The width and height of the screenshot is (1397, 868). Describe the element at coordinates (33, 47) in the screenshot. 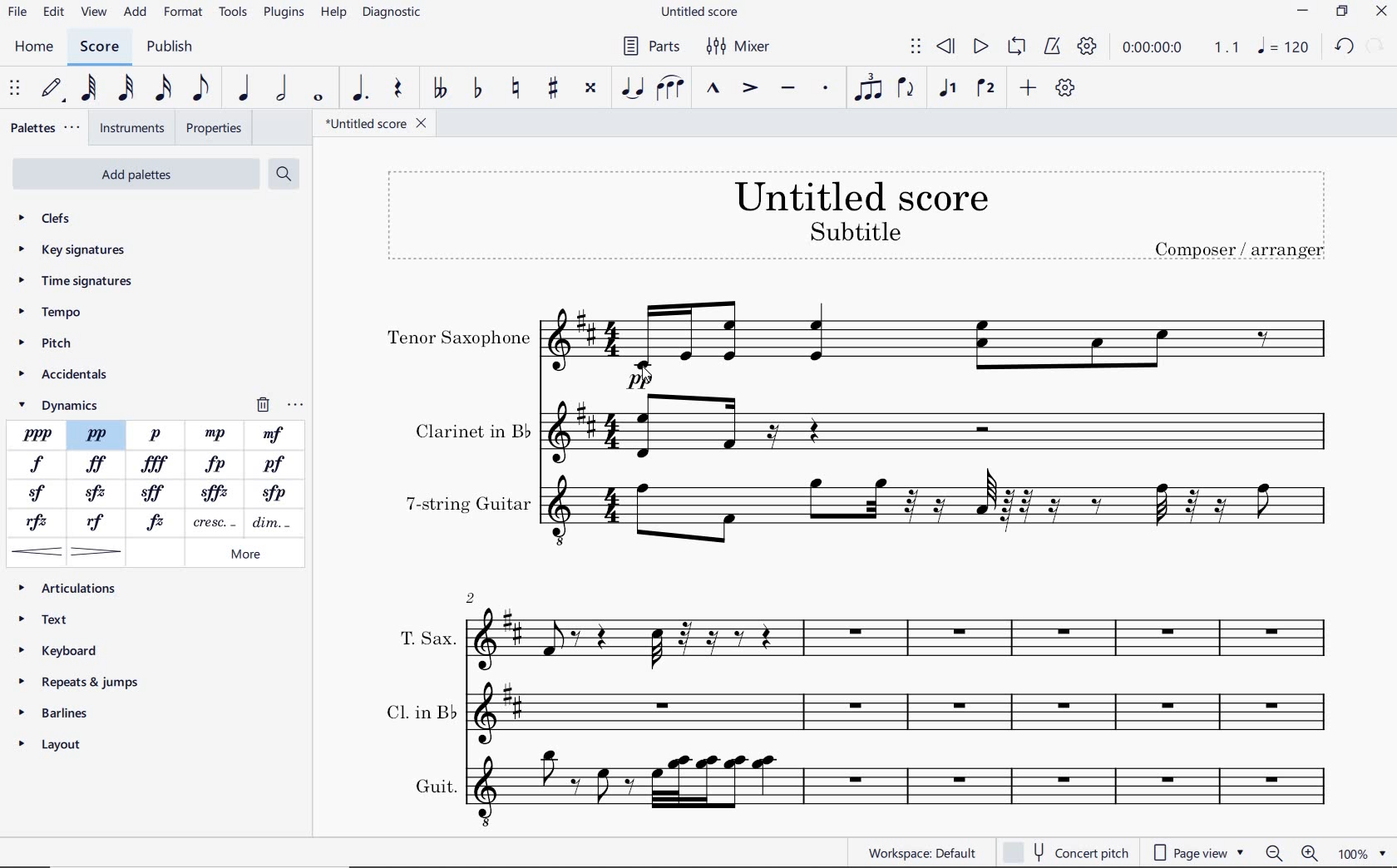

I see `home` at that location.